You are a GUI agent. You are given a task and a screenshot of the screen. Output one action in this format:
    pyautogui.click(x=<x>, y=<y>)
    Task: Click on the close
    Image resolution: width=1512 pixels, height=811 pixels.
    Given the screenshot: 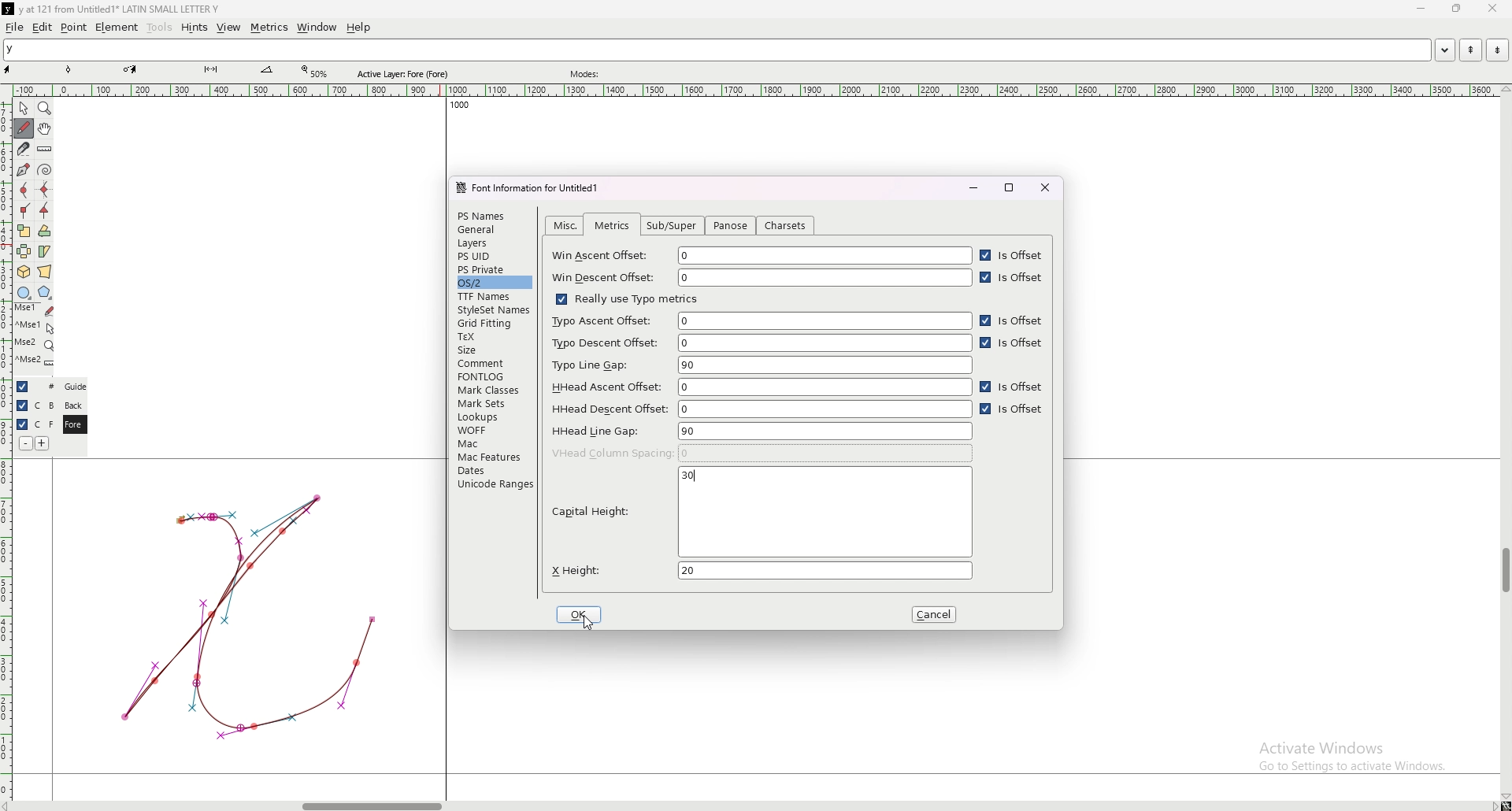 What is the action you would take?
    pyautogui.click(x=1491, y=9)
    